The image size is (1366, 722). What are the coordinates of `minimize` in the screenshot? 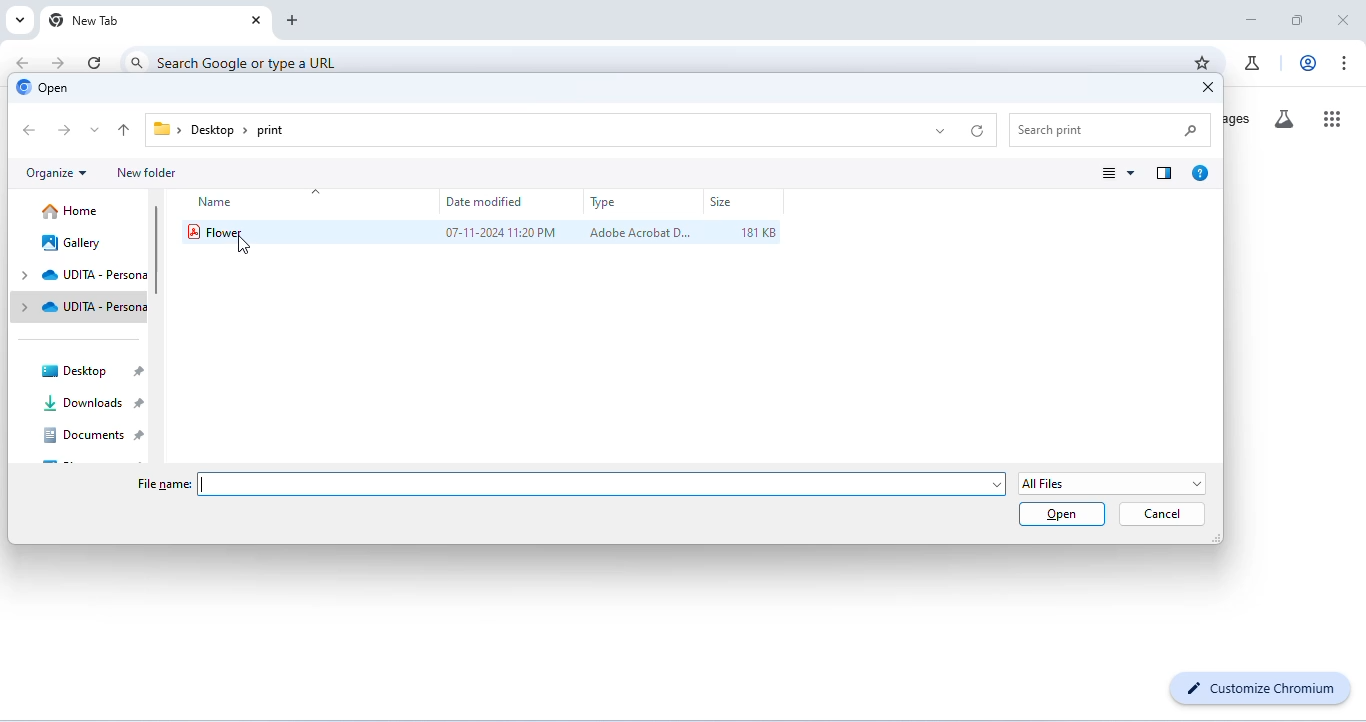 It's located at (1253, 19).